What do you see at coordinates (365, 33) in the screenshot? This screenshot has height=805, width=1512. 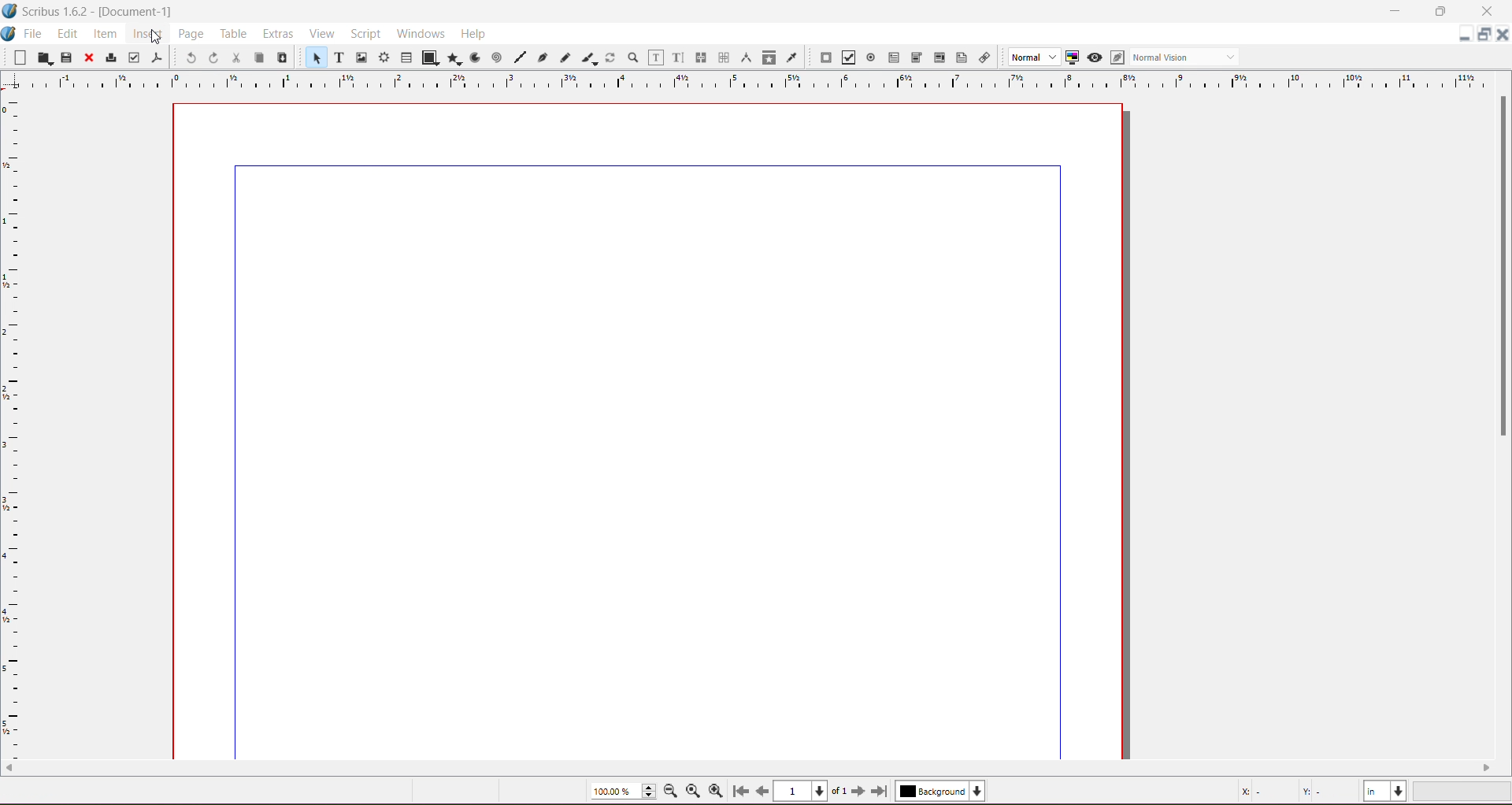 I see `Script` at bounding box center [365, 33].